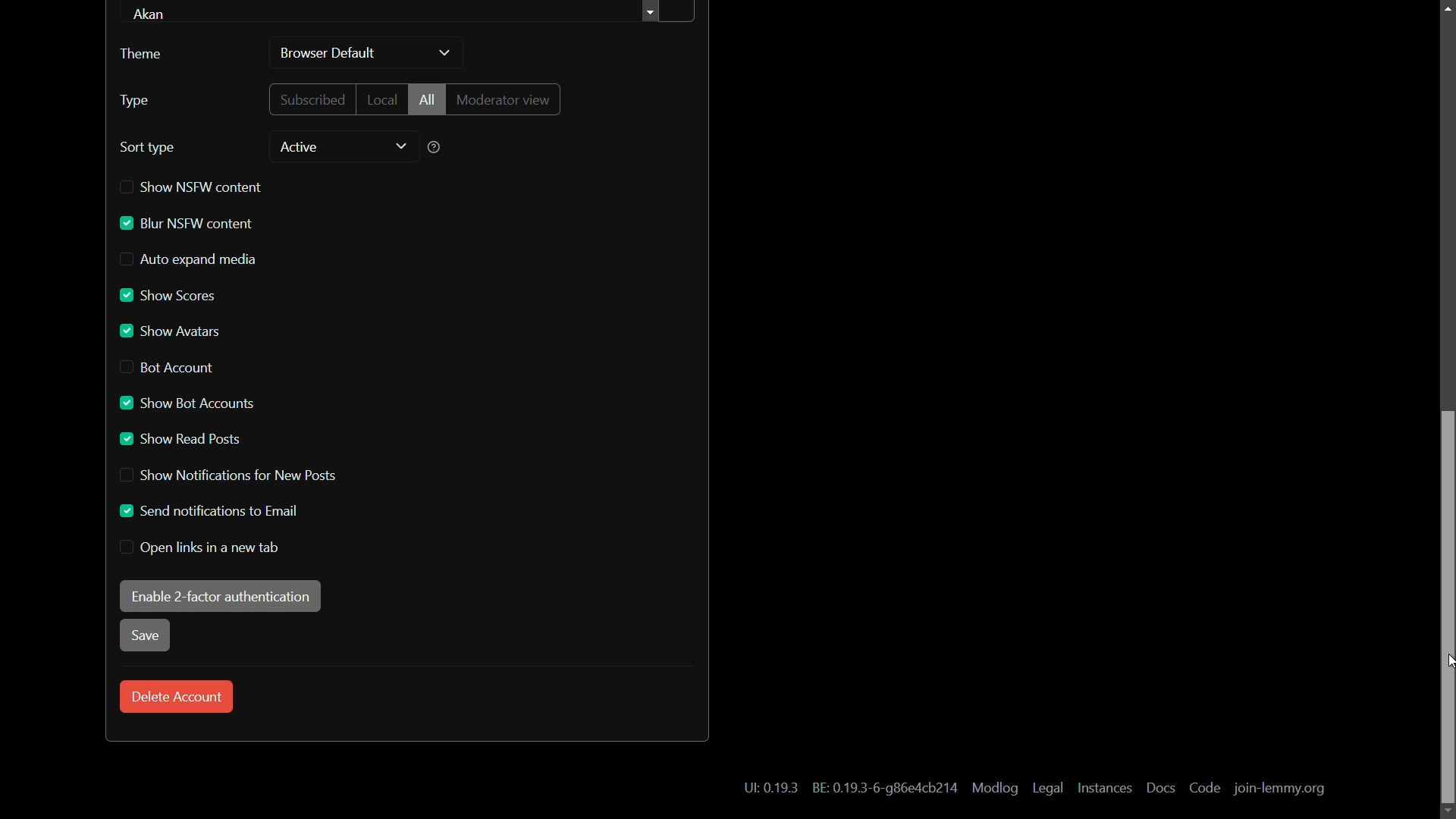 Image resolution: width=1456 pixels, height=819 pixels. Describe the element at coordinates (1205, 789) in the screenshot. I see `code` at that location.